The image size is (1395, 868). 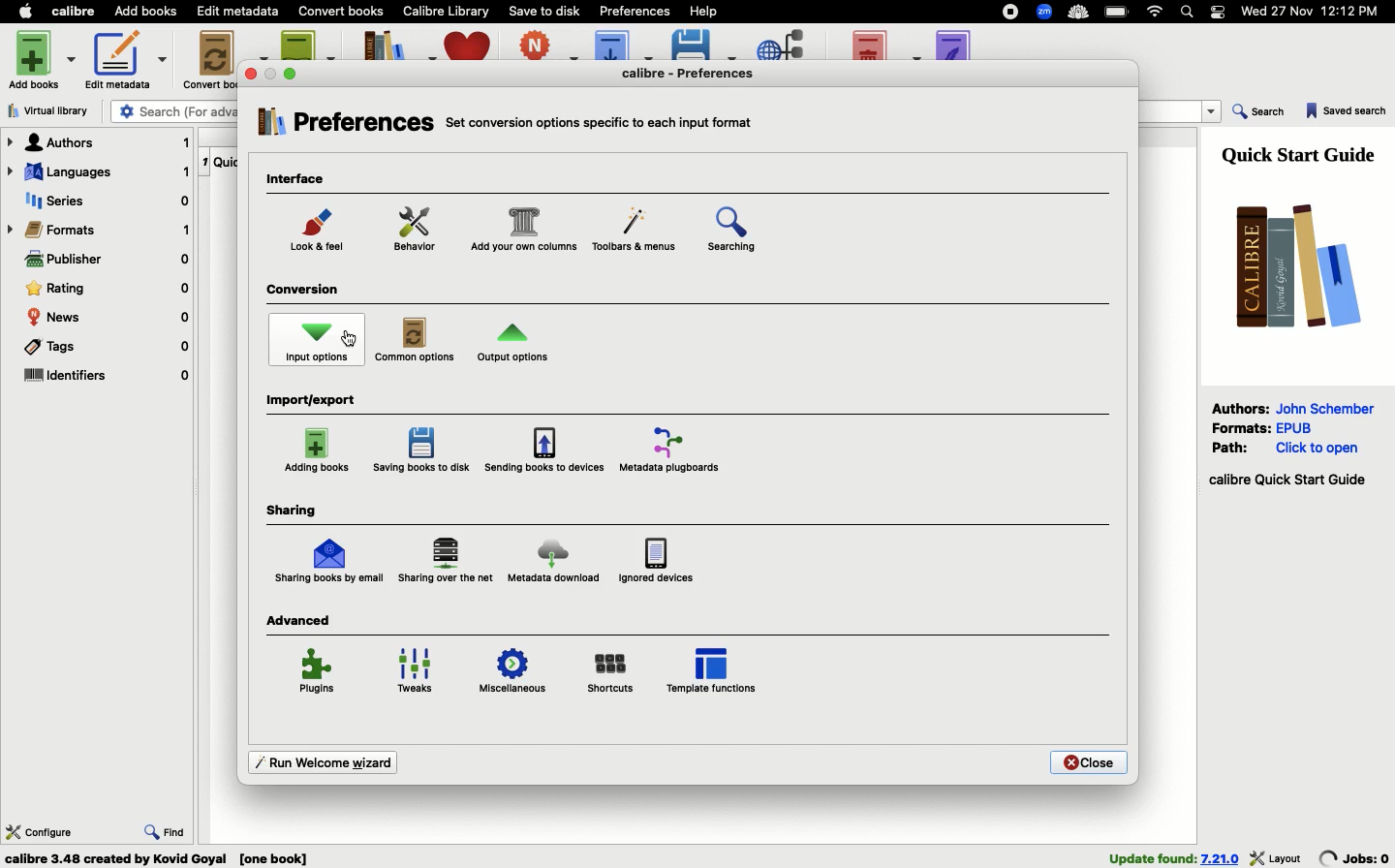 What do you see at coordinates (316, 401) in the screenshot?
I see `Import export` at bounding box center [316, 401].